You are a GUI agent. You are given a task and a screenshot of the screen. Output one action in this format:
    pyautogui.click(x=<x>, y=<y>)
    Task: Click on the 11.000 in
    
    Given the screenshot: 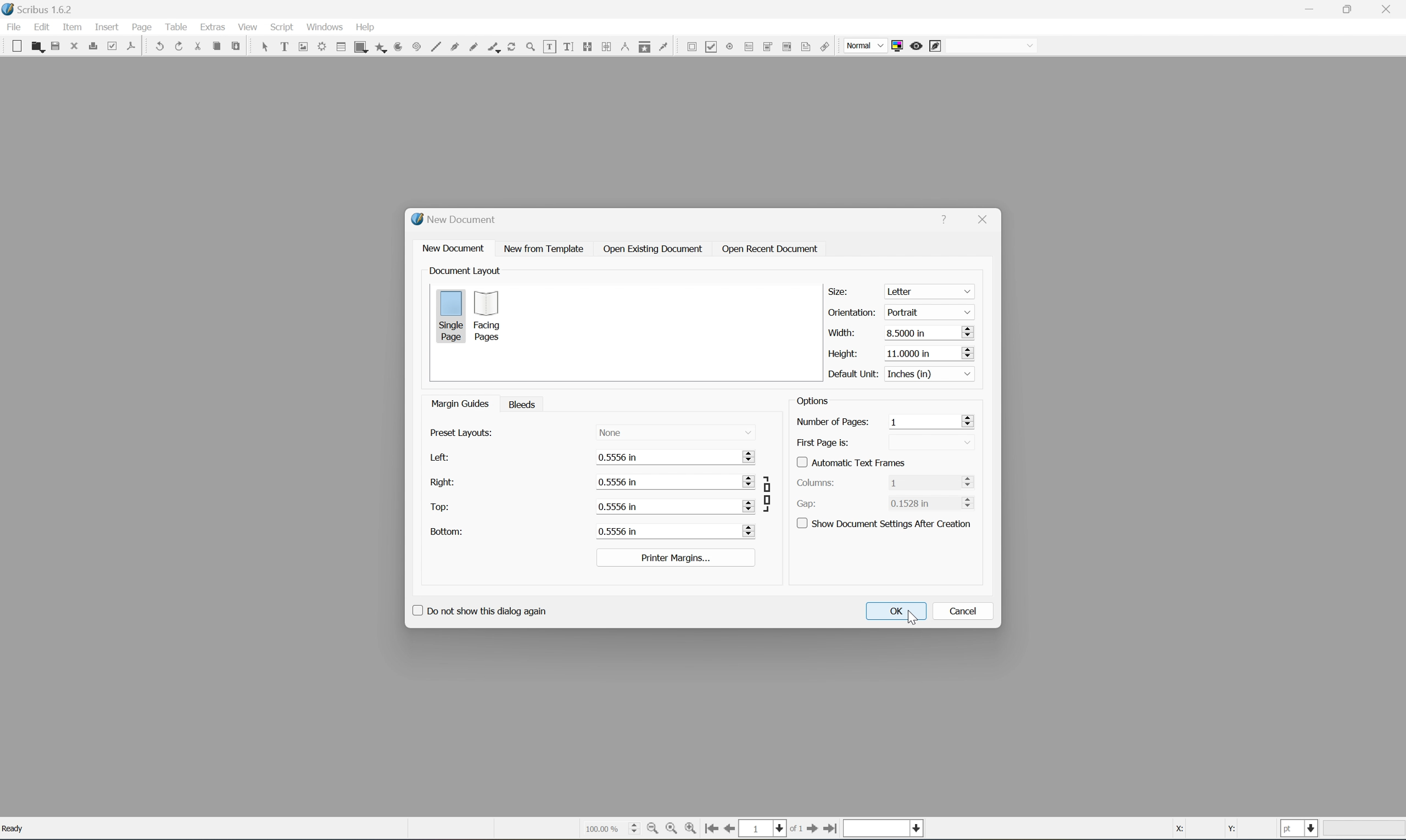 What is the action you would take?
    pyautogui.click(x=928, y=353)
    